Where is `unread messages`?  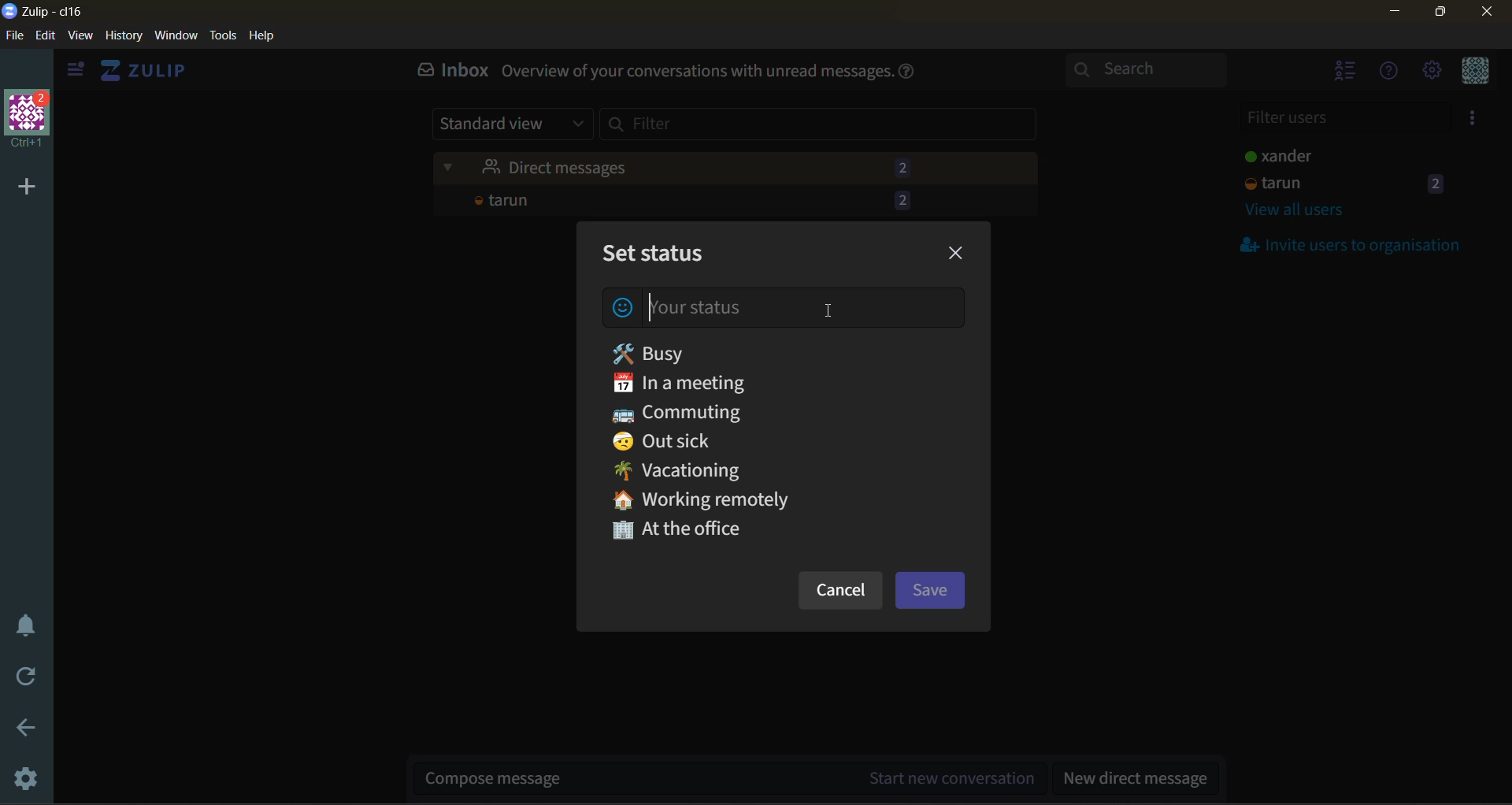 unread messages is located at coordinates (737, 163).